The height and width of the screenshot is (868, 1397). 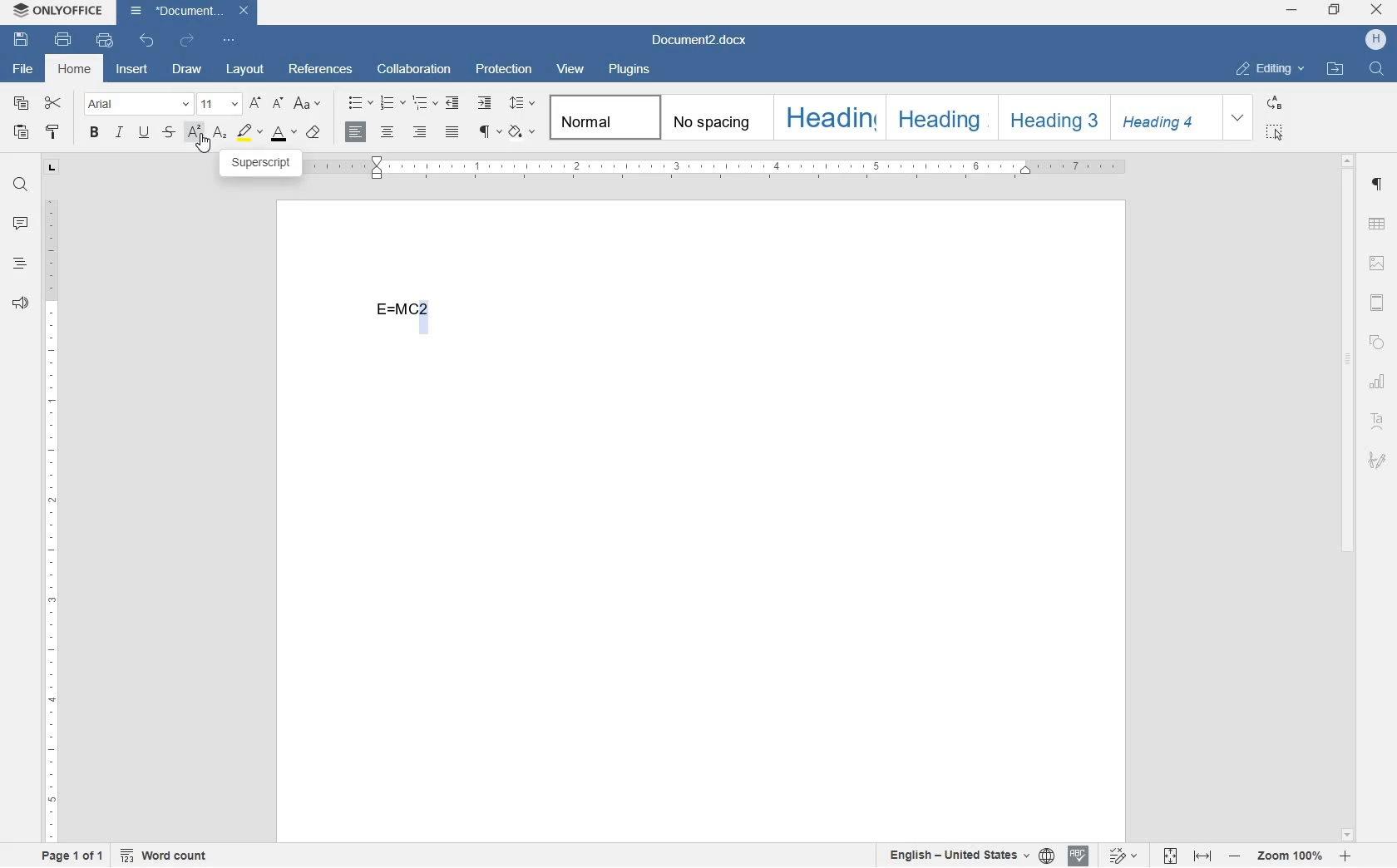 I want to click on Normal, so click(x=602, y=116).